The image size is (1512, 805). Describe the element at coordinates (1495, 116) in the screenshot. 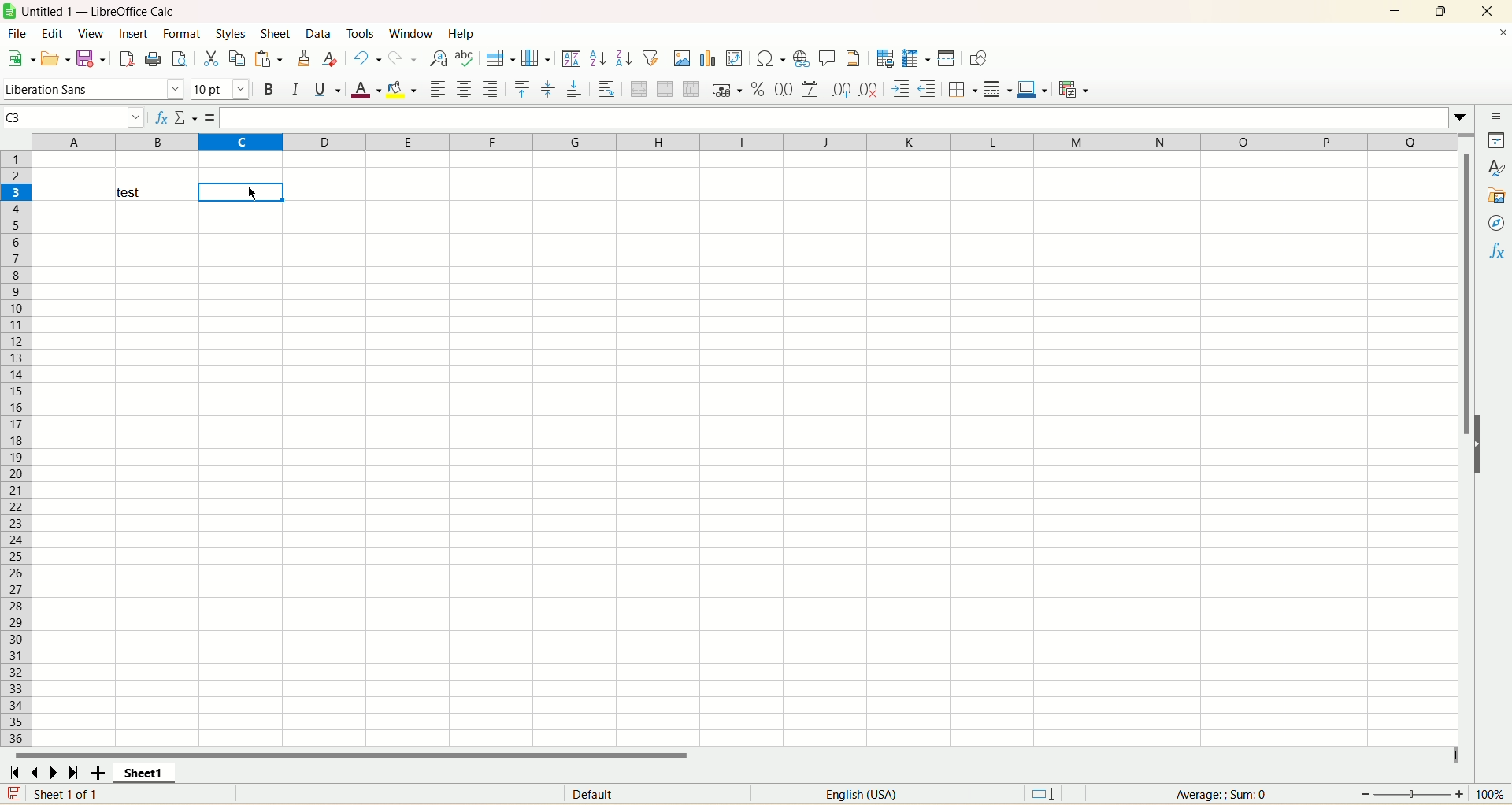

I see `sidebar menu` at that location.